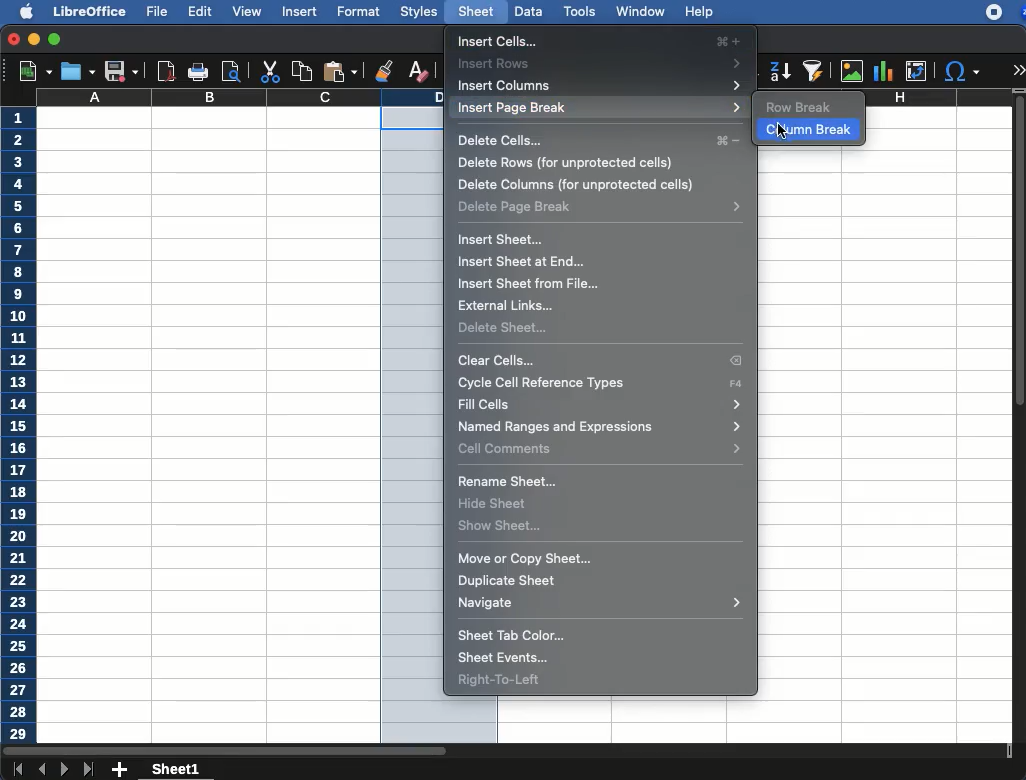  Describe the element at coordinates (527, 560) in the screenshot. I see `move or copy sheet` at that location.